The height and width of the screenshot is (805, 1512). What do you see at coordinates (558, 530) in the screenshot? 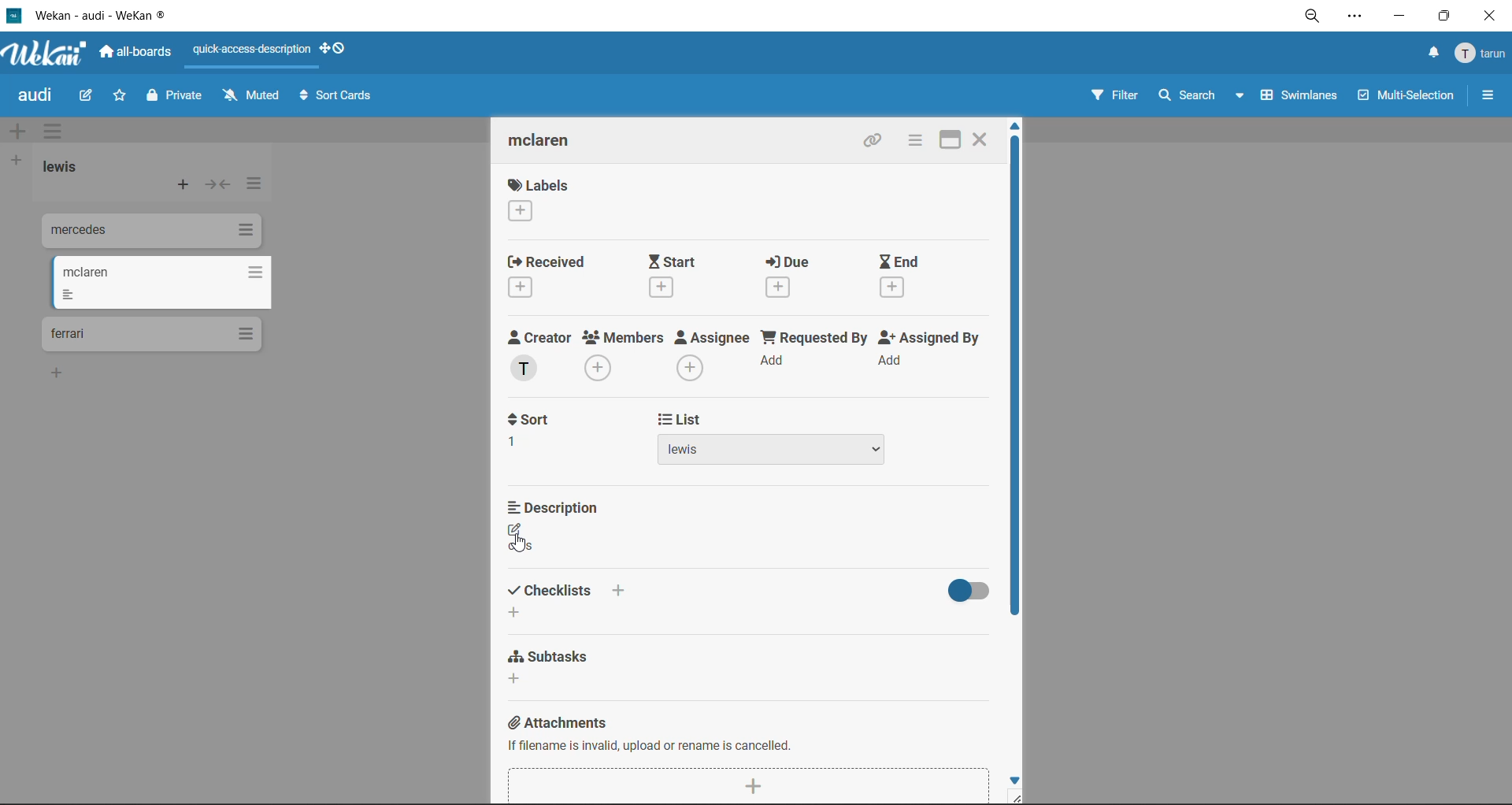
I see `description` at bounding box center [558, 530].